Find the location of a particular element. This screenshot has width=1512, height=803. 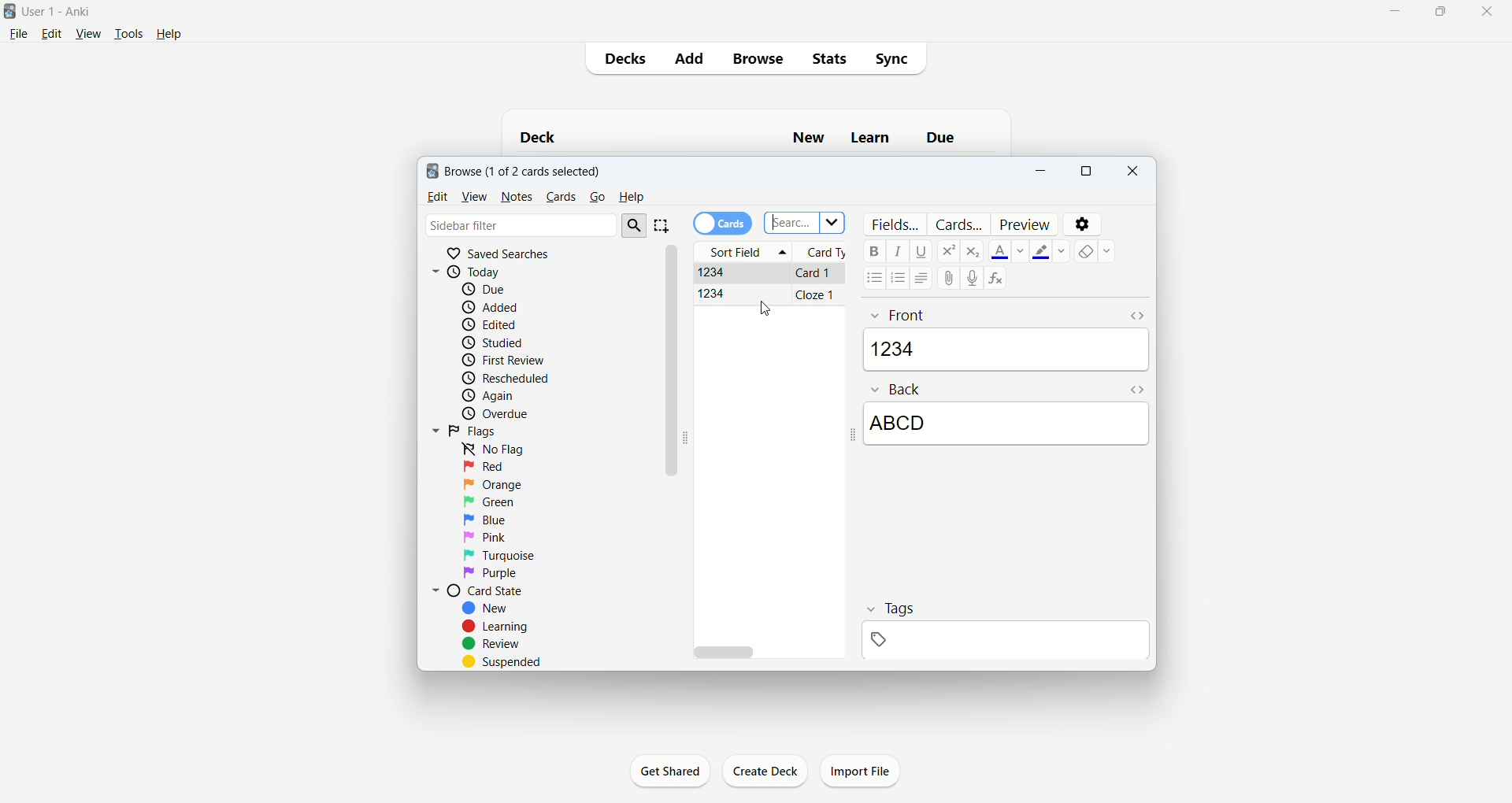

maximize is located at coordinates (1091, 174).